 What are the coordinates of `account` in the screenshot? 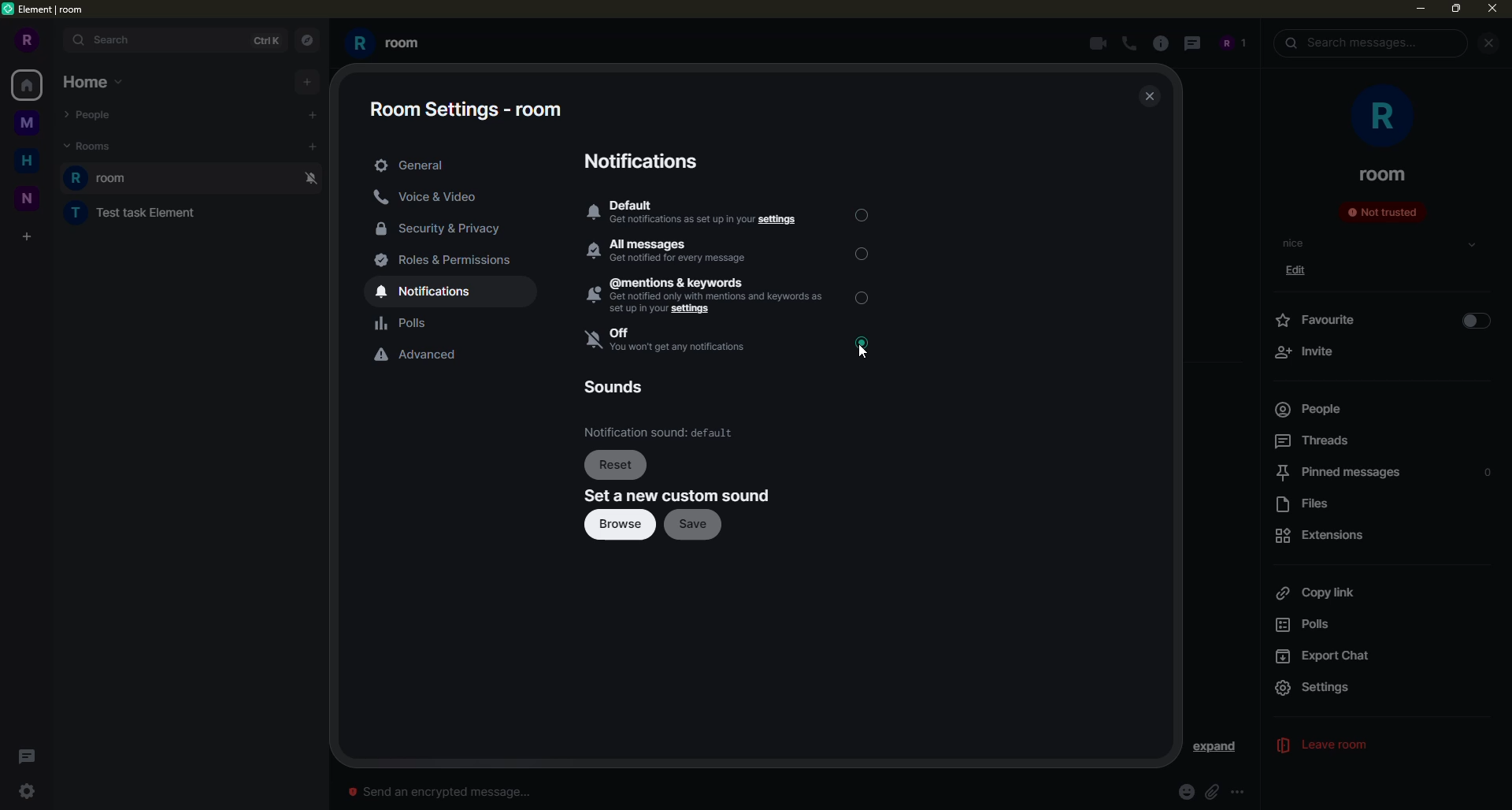 It's located at (1232, 43).